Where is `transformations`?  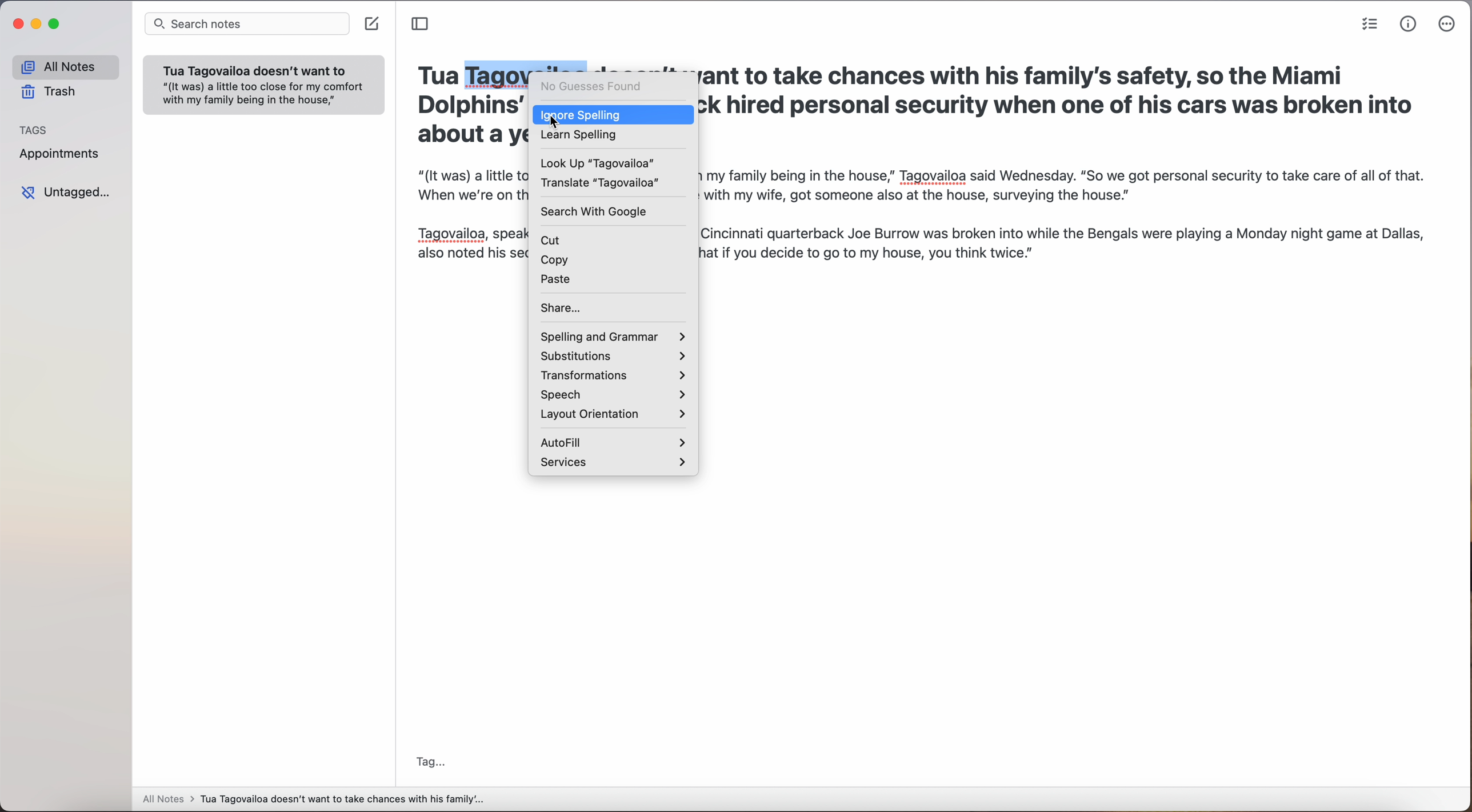 transformations is located at coordinates (611, 375).